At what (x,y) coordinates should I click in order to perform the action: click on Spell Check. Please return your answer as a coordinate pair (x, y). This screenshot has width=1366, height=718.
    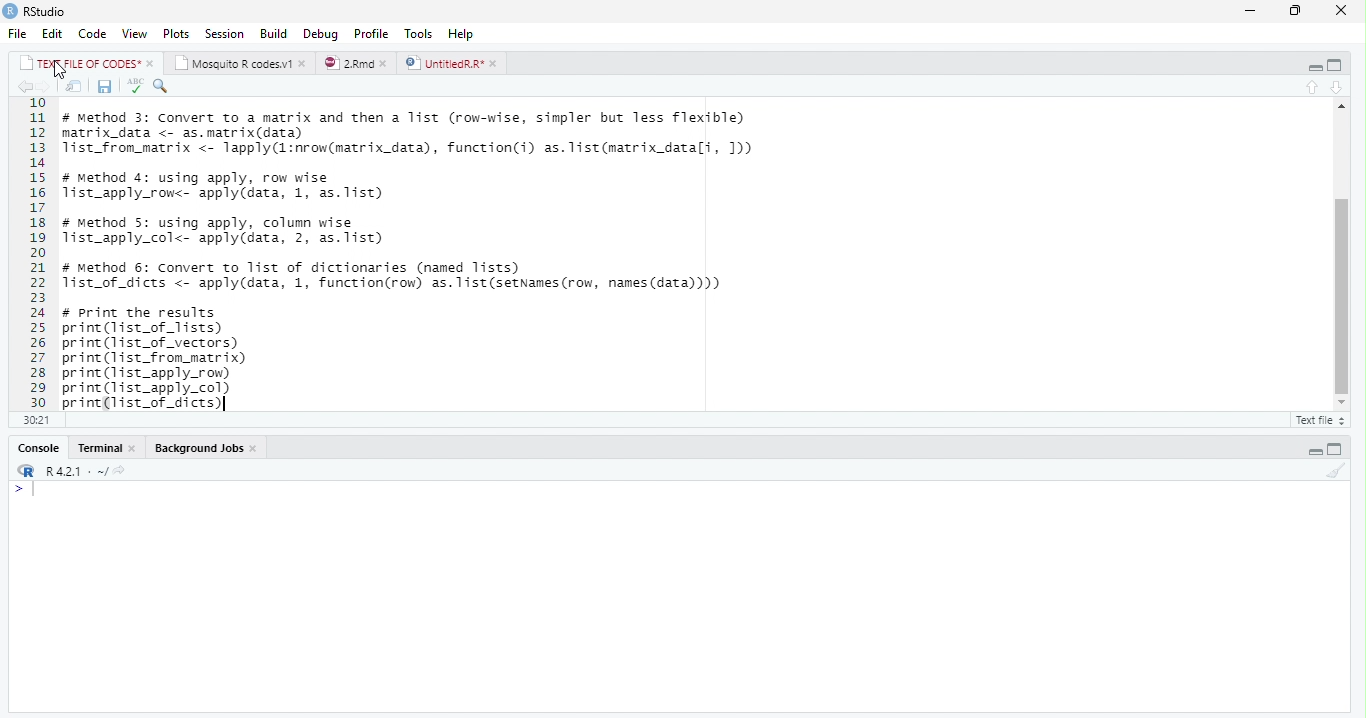
    Looking at the image, I should click on (134, 87).